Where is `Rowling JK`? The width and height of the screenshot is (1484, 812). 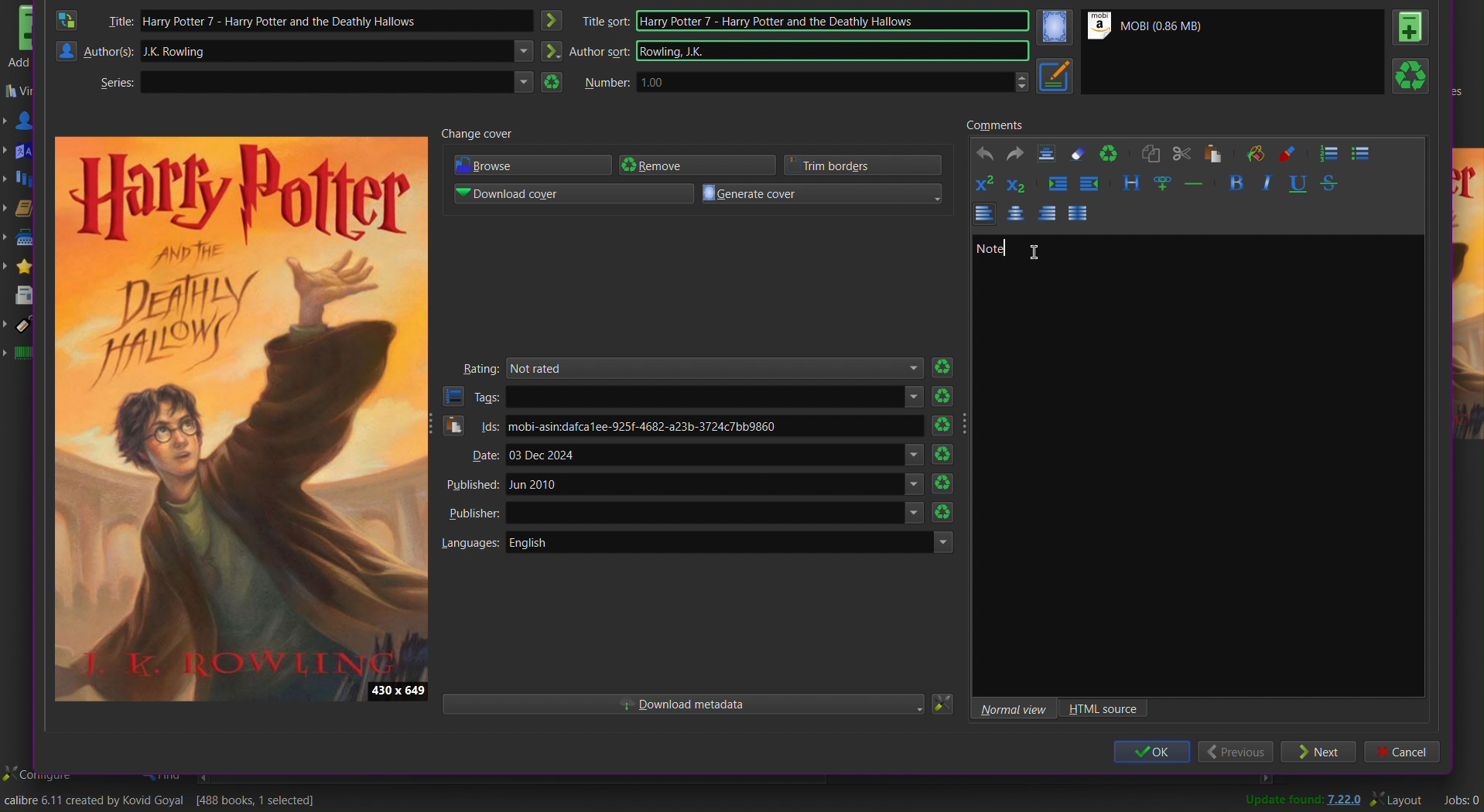
Rowling JK is located at coordinates (835, 49).